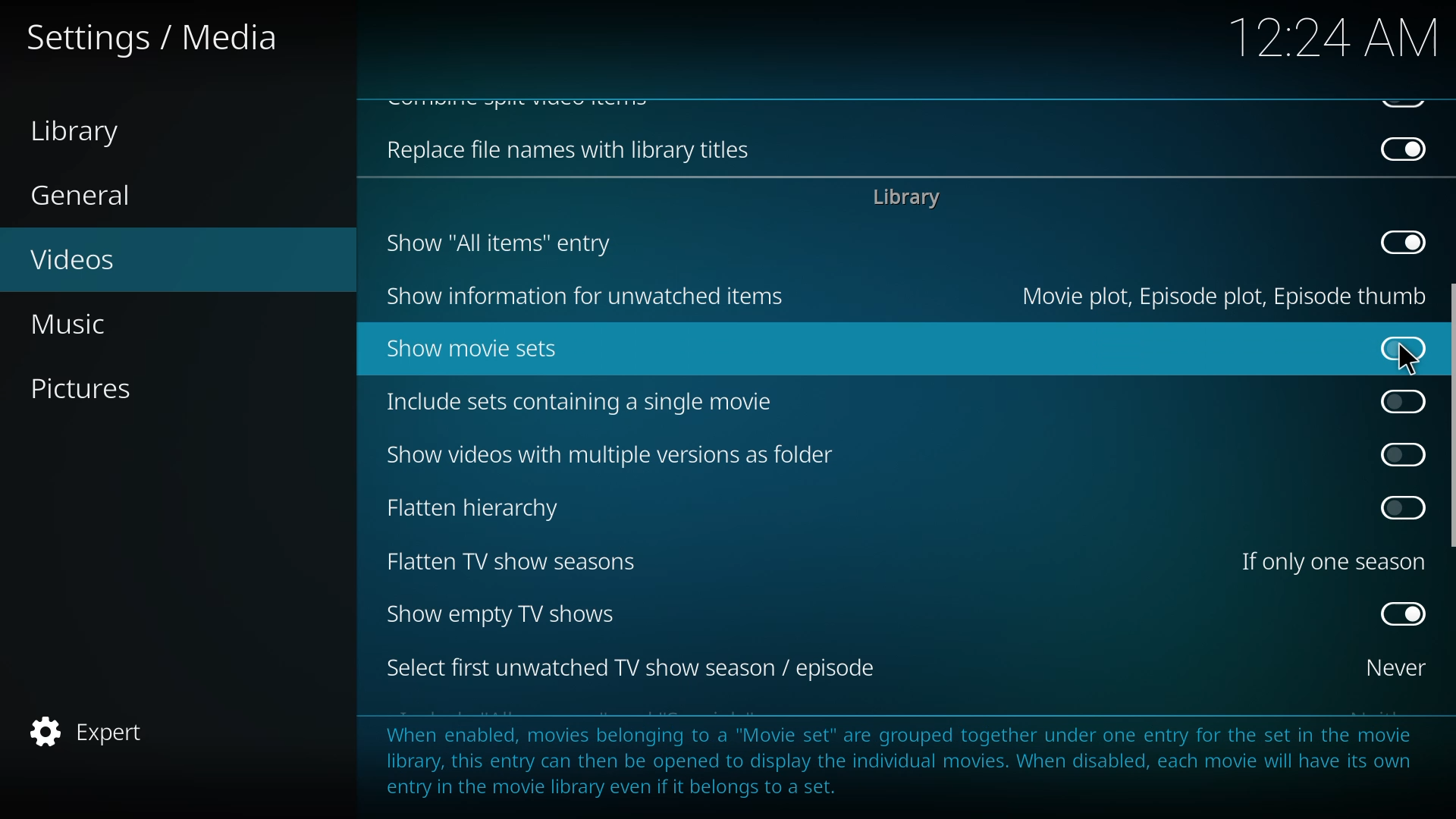  What do you see at coordinates (910, 760) in the screenshot?
I see `info` at bounding box center [910, 760].